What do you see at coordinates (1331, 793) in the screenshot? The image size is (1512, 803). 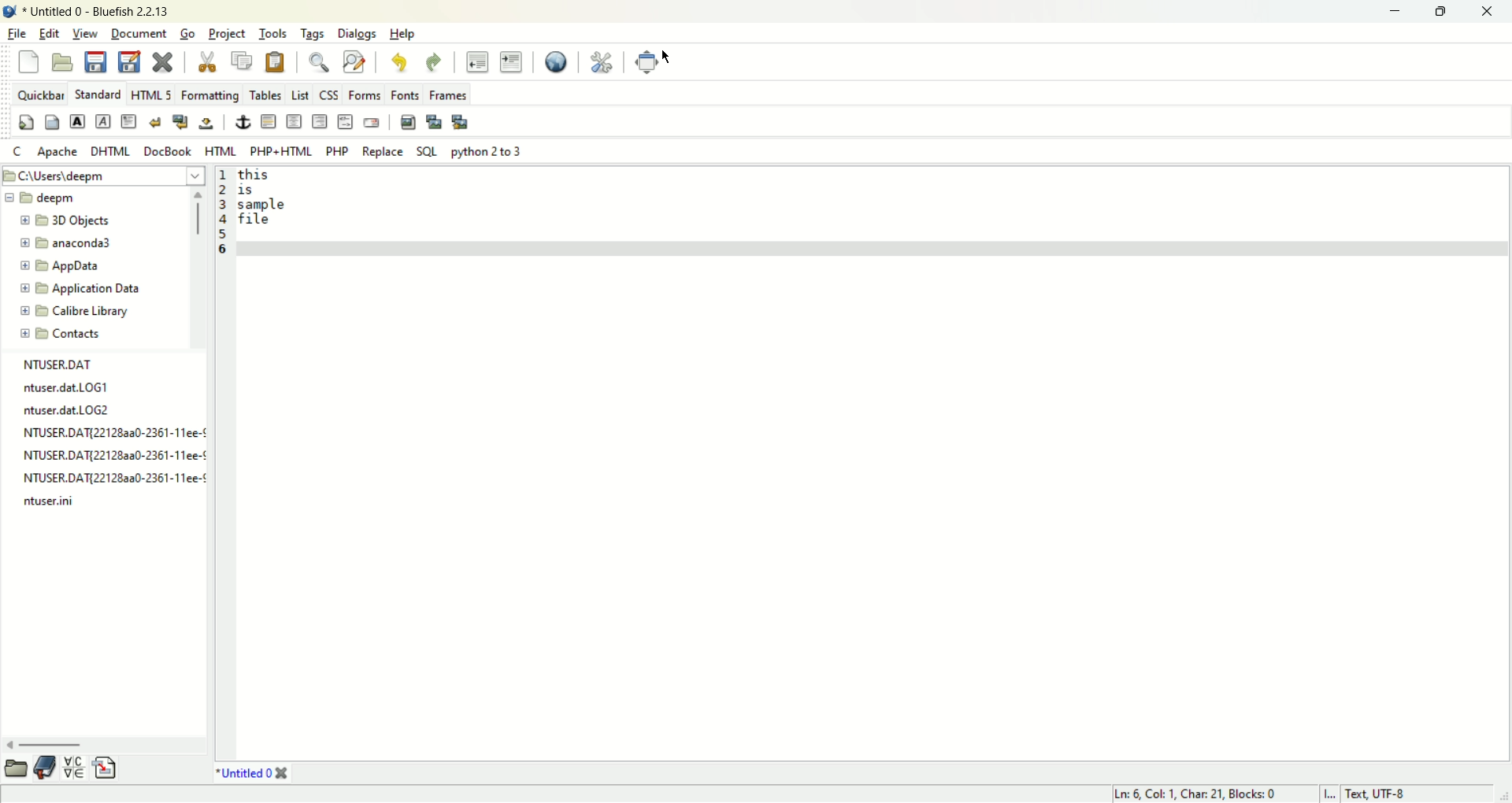 I see `I` at bounding box center [1331, 793].